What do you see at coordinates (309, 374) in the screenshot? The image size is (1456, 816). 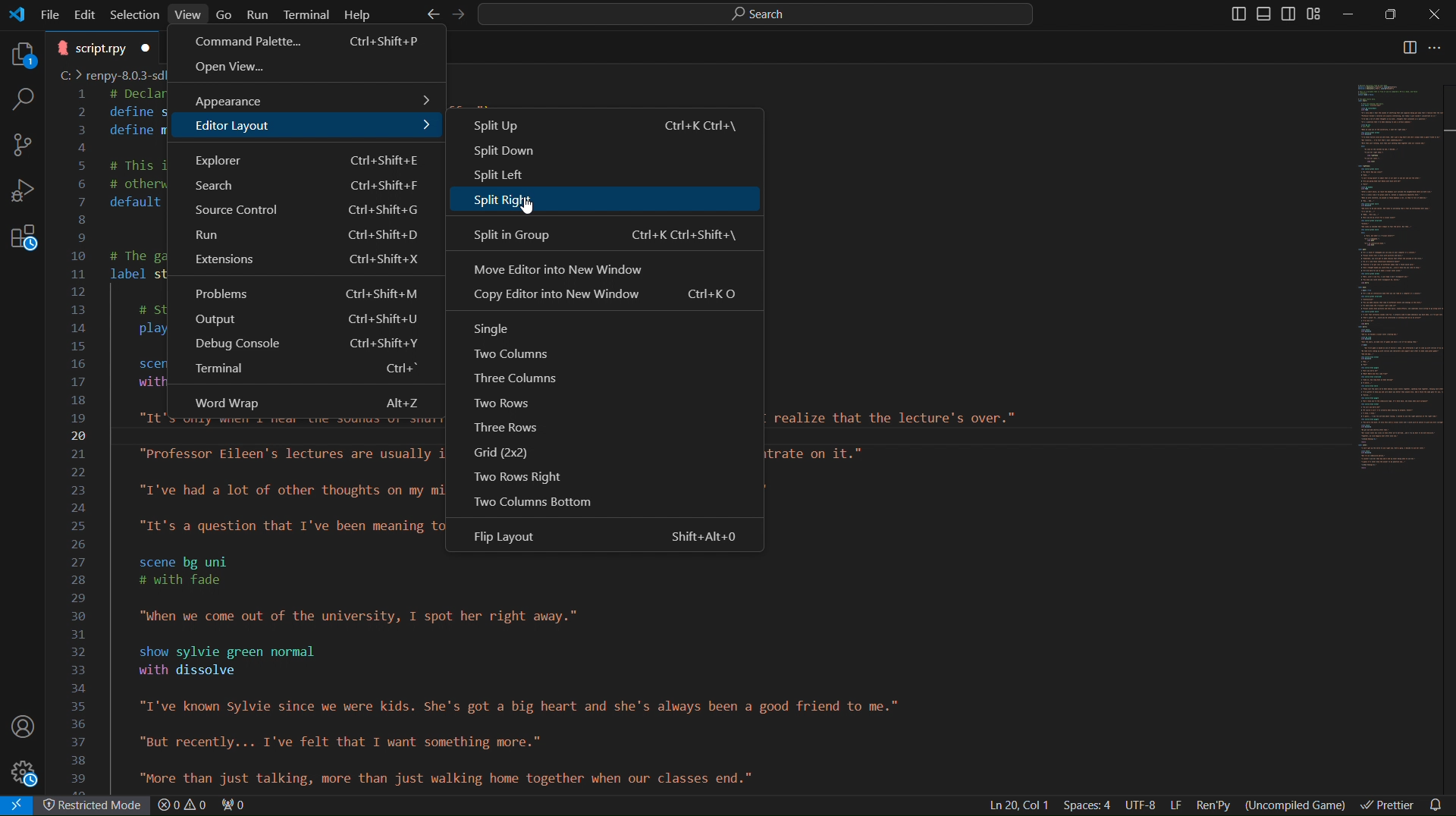 I see `Terminal   ctrl+'` at bounding box center [309, 374].